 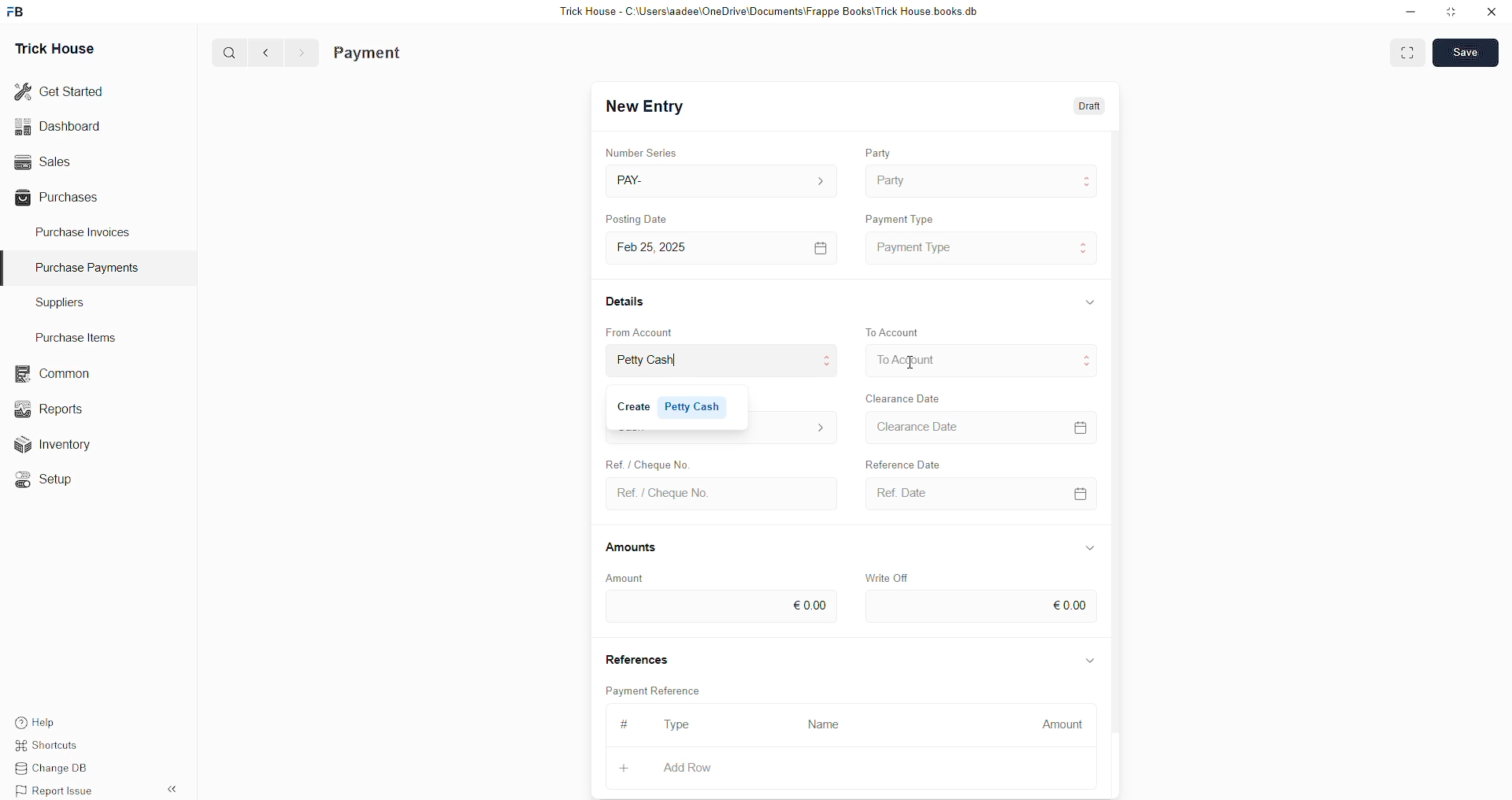 I want to click on €0.00, so click(x=1070, y=603).